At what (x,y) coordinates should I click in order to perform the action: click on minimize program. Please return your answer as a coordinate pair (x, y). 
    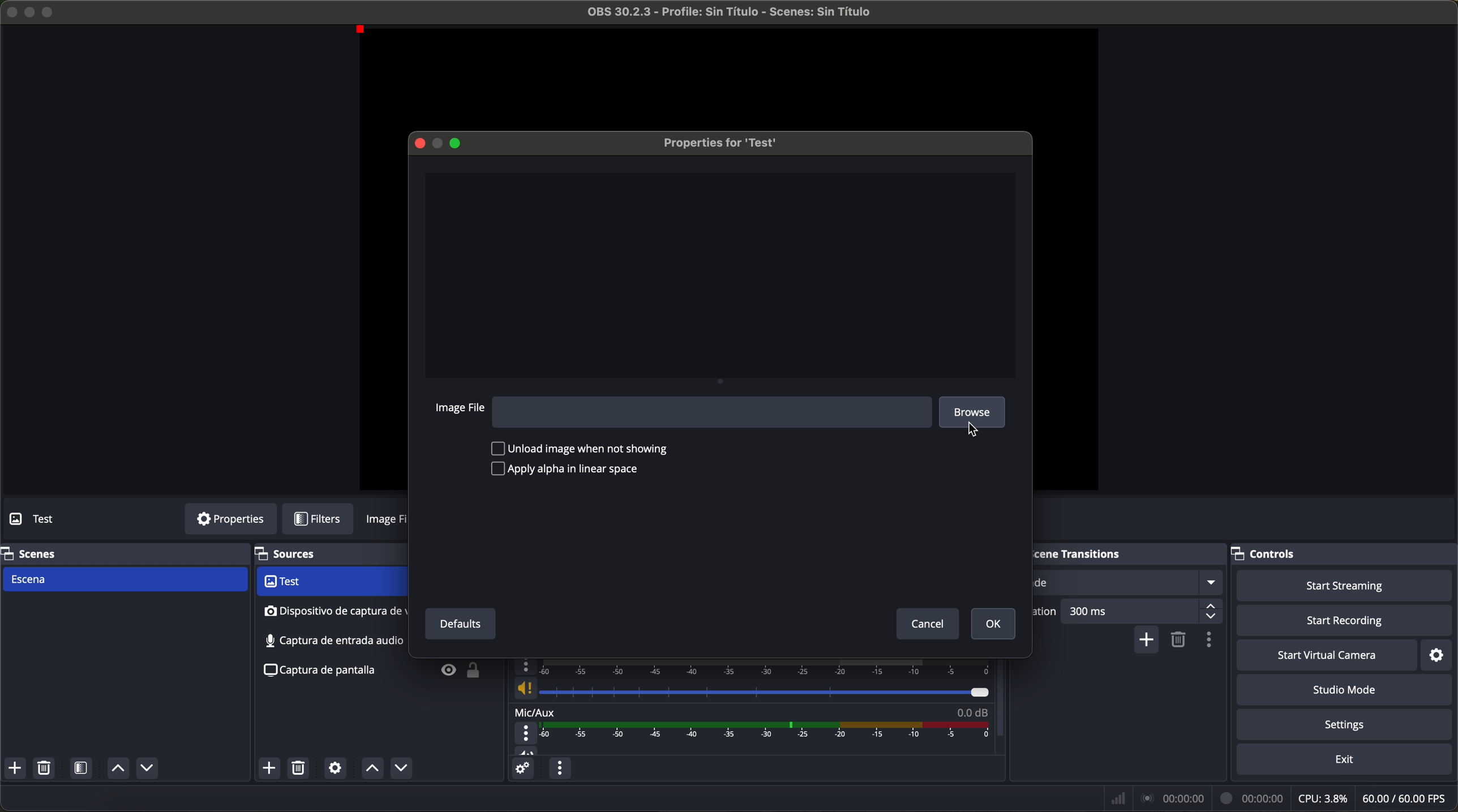
    Looking at the image, I should click on (30, 12).